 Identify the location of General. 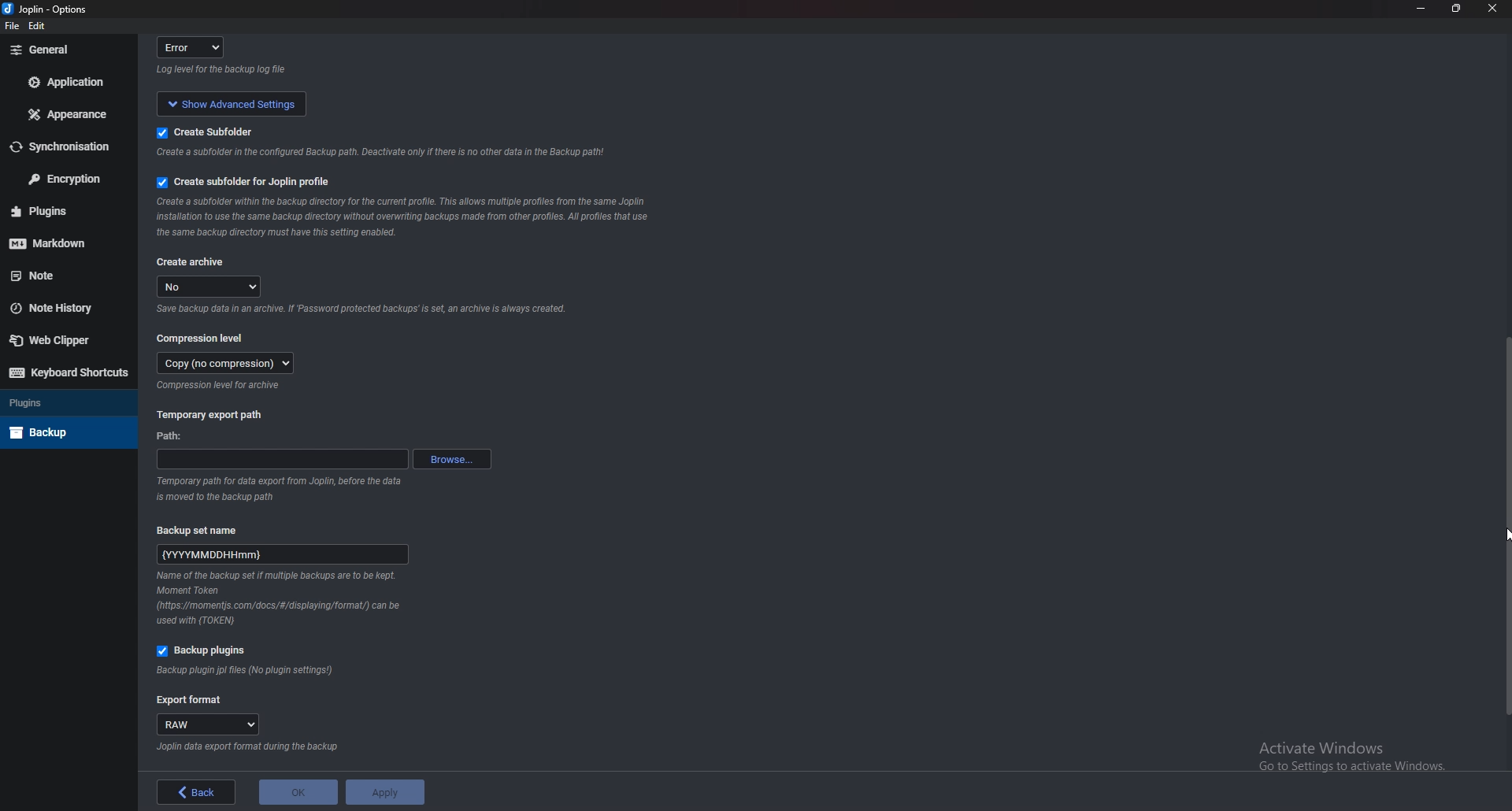
(65, 50).